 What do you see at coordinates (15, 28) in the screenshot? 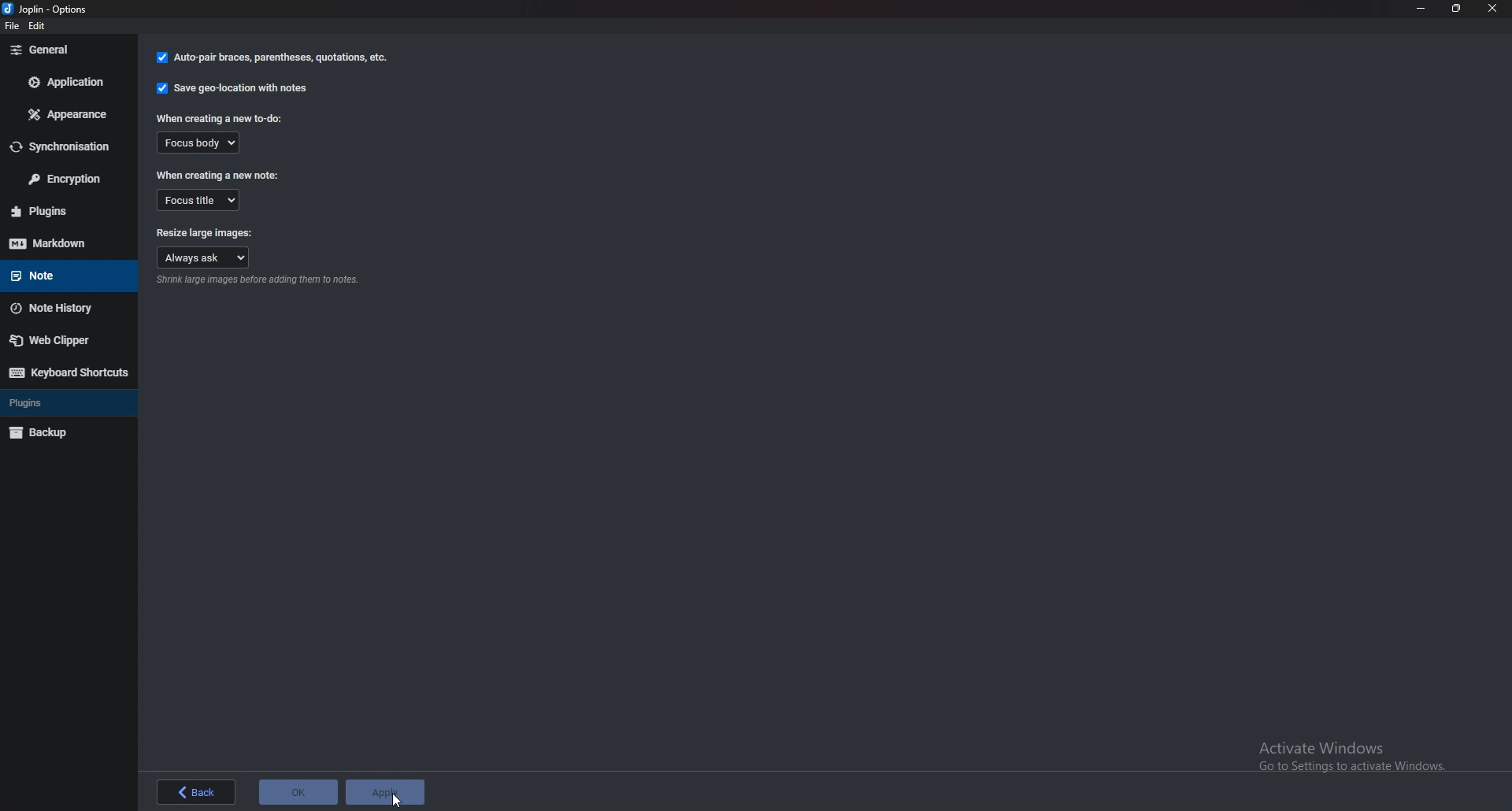
I see `file` at bounding box center [15, 28].